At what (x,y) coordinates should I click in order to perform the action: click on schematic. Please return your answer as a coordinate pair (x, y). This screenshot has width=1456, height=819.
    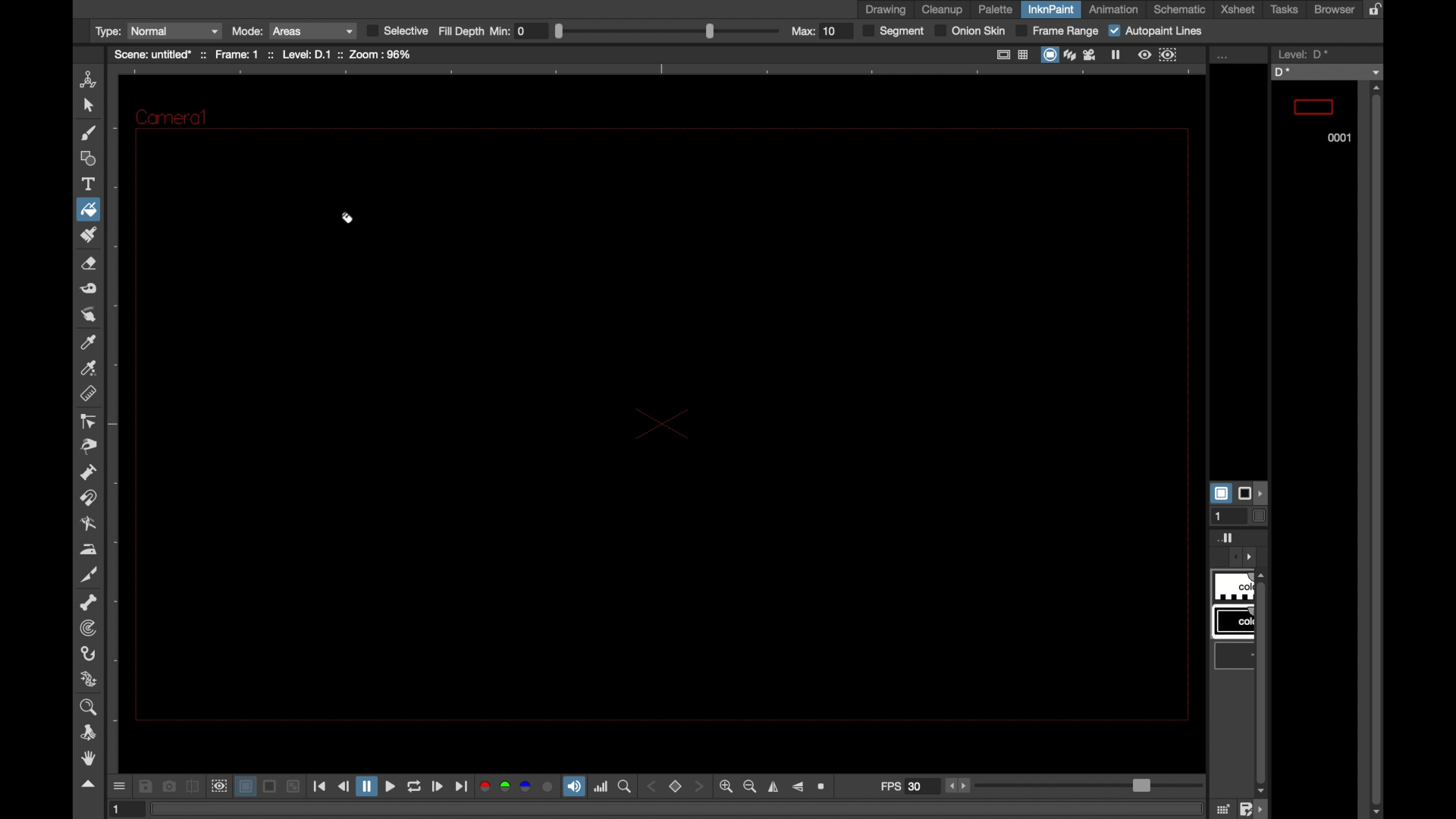
    Looking at the image, I should click on (1179, 10).